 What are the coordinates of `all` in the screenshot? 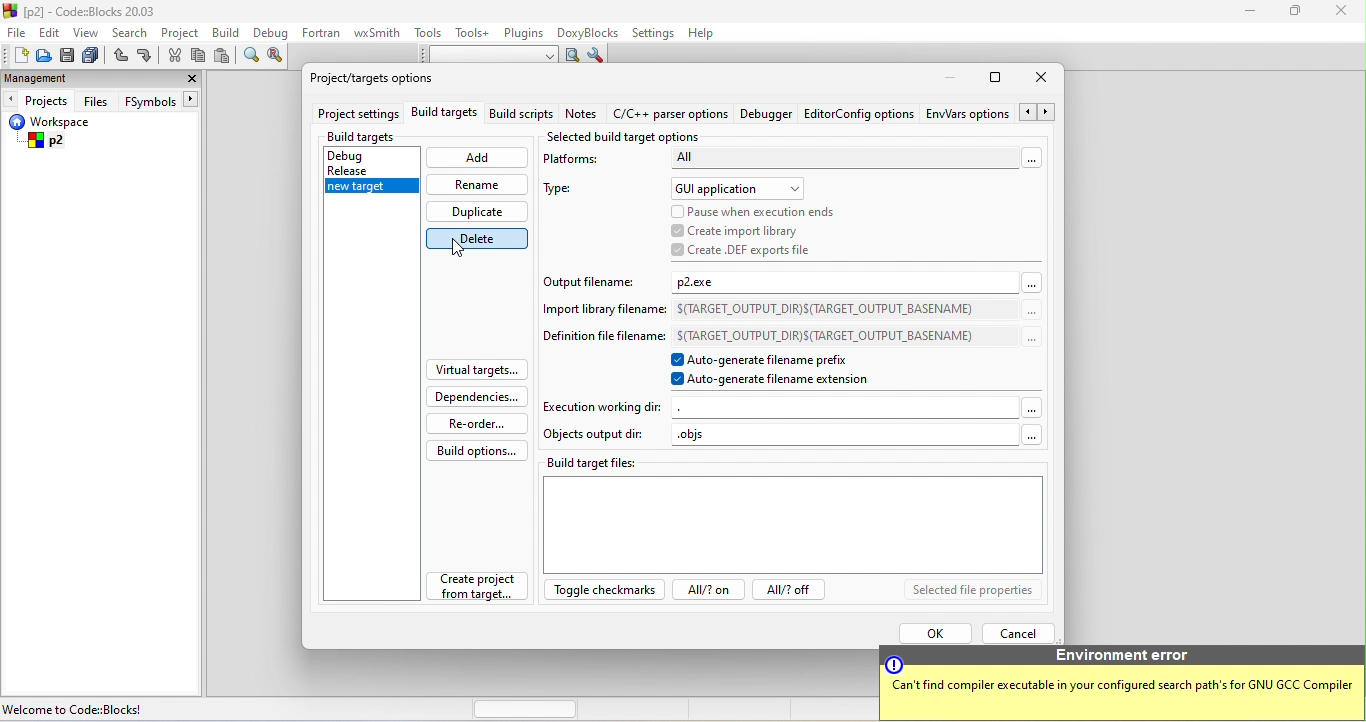 It's located at (855, 162).